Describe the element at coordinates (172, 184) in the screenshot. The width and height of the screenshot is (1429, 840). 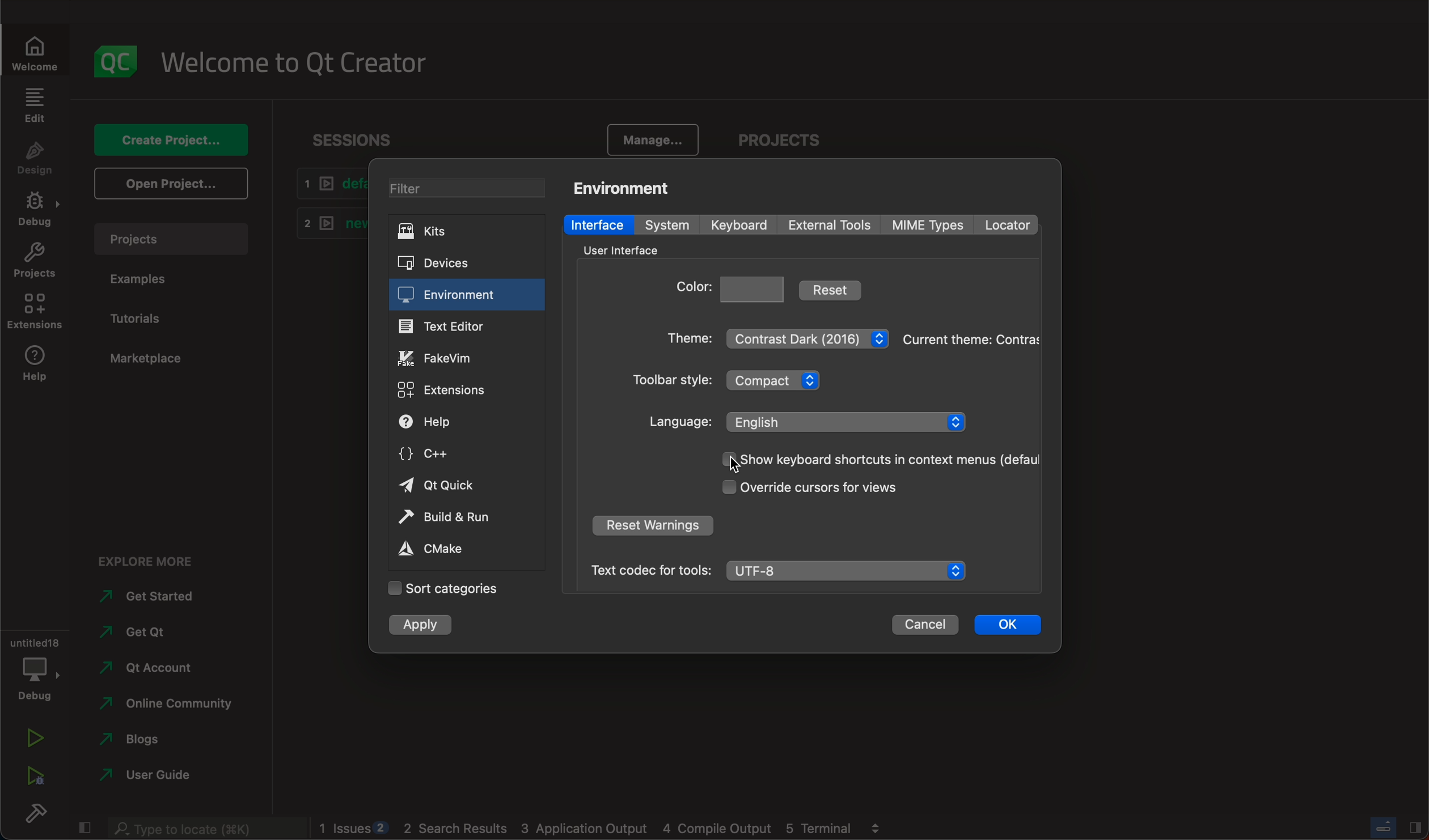
I see `open` at that location.